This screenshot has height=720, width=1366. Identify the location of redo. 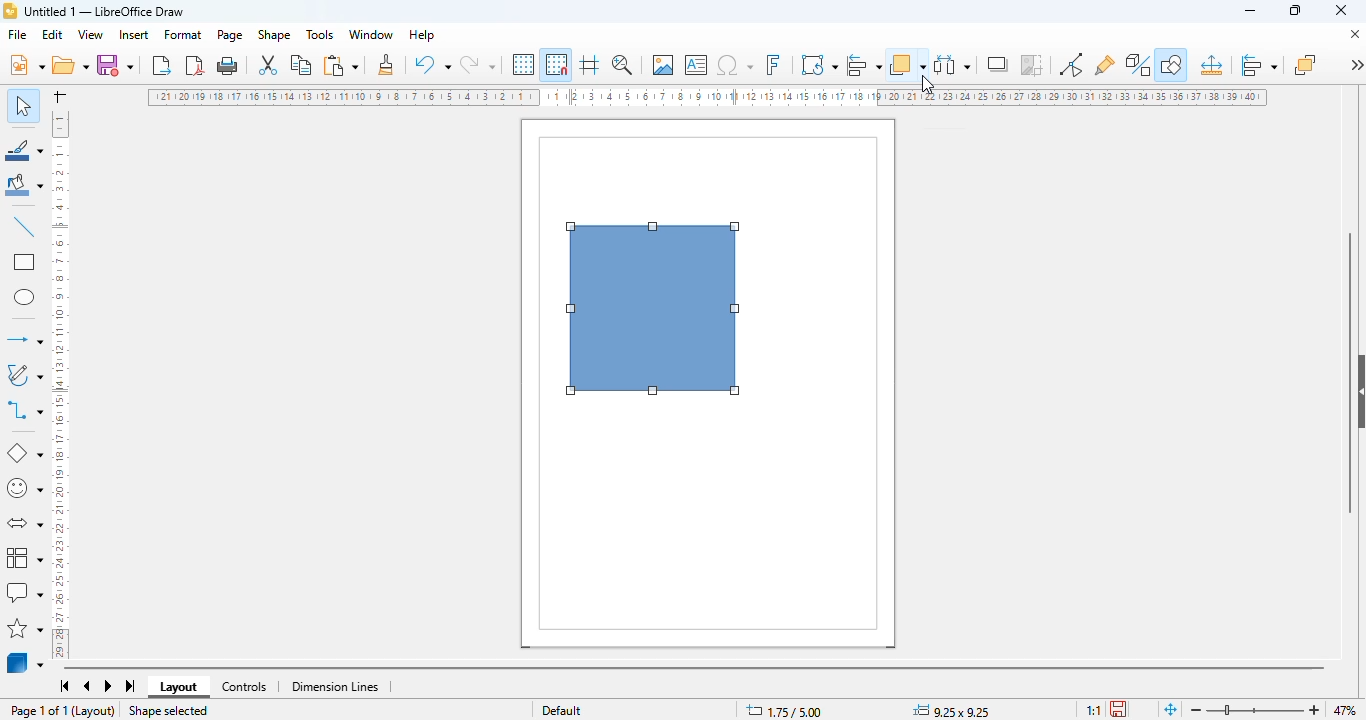
(478, 64).